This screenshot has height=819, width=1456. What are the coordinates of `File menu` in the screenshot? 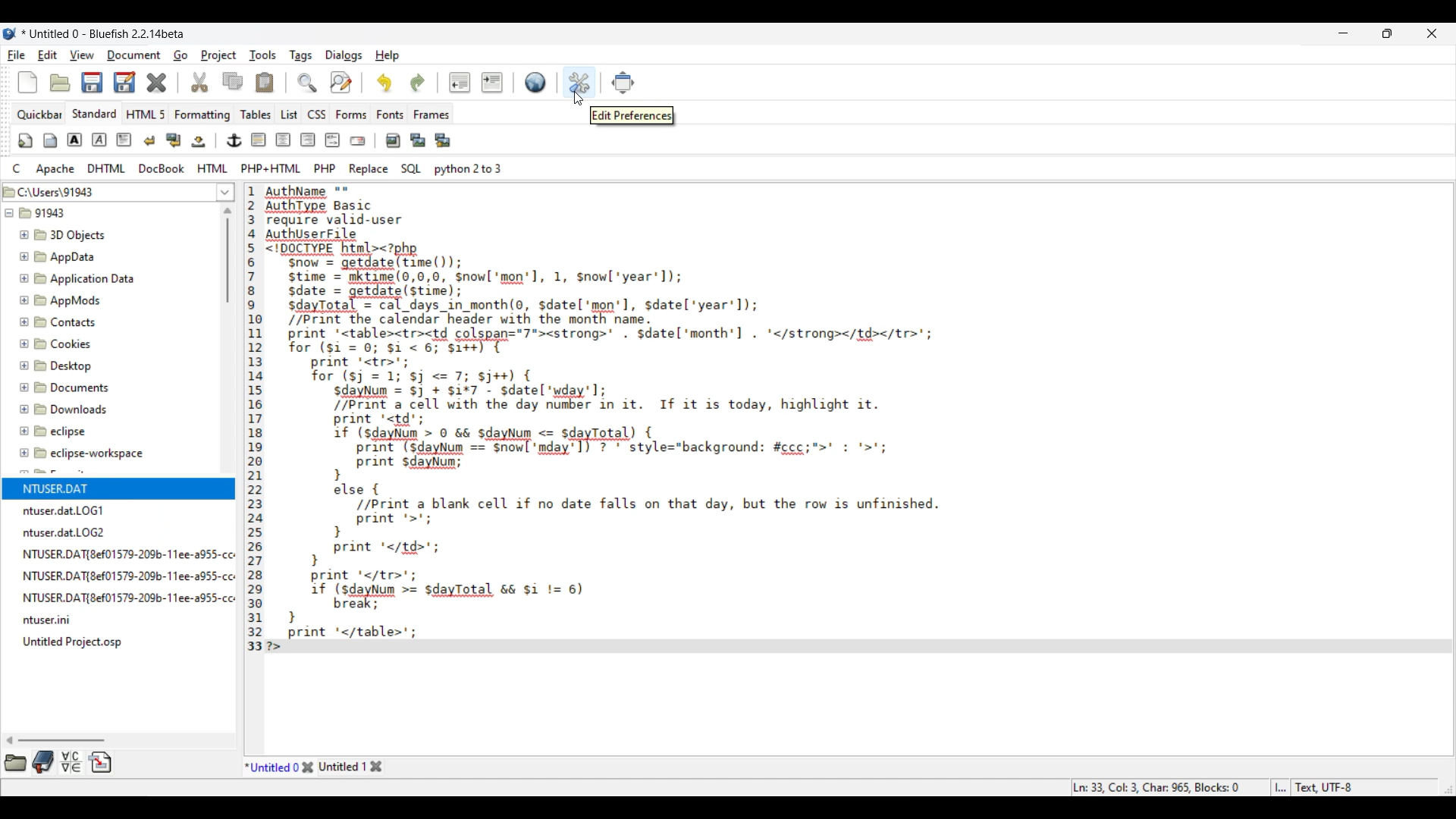 It's located at (17, 55).